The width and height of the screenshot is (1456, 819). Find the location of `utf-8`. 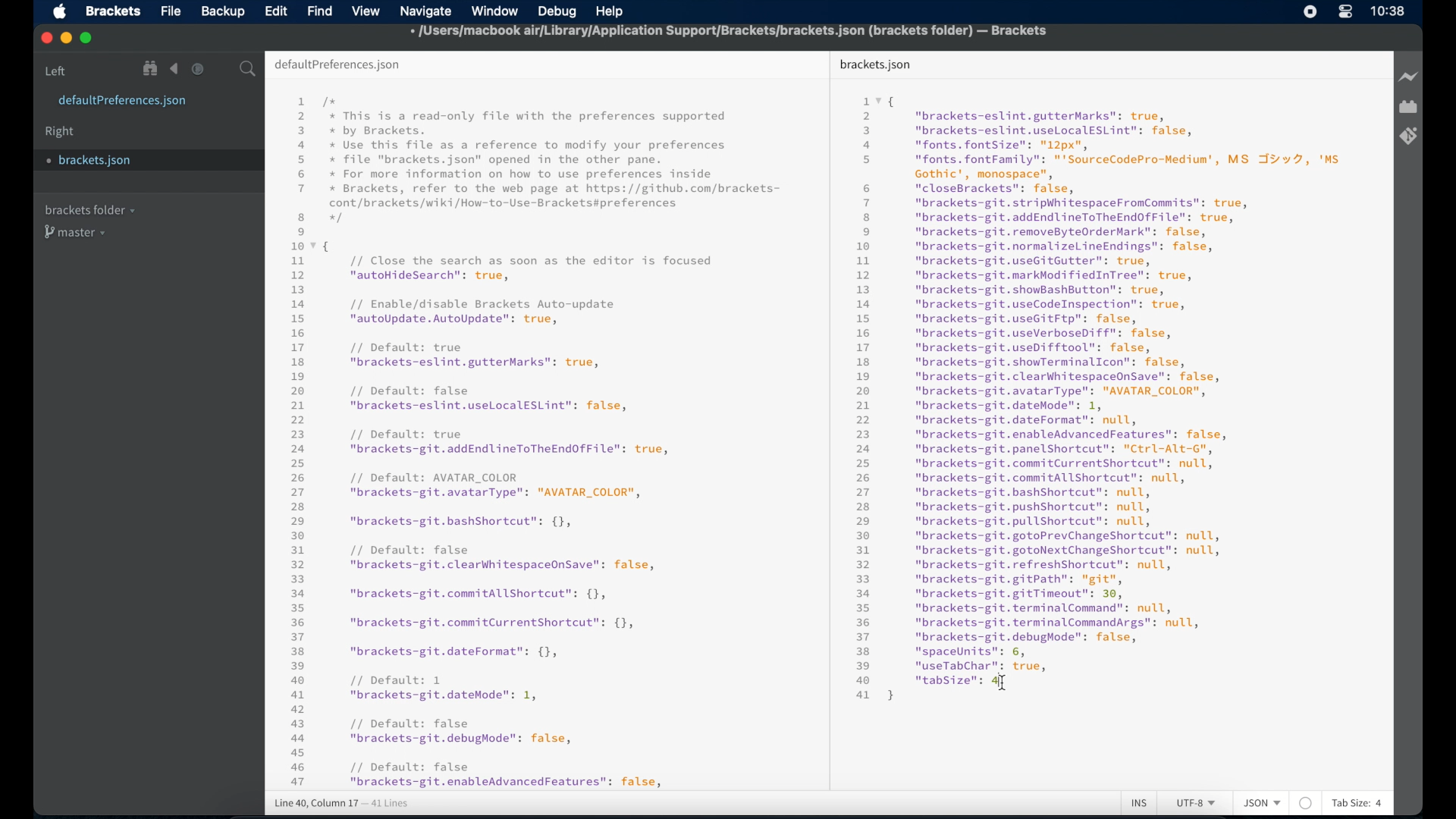

utf-8 is located at coordinates (1197, 803).